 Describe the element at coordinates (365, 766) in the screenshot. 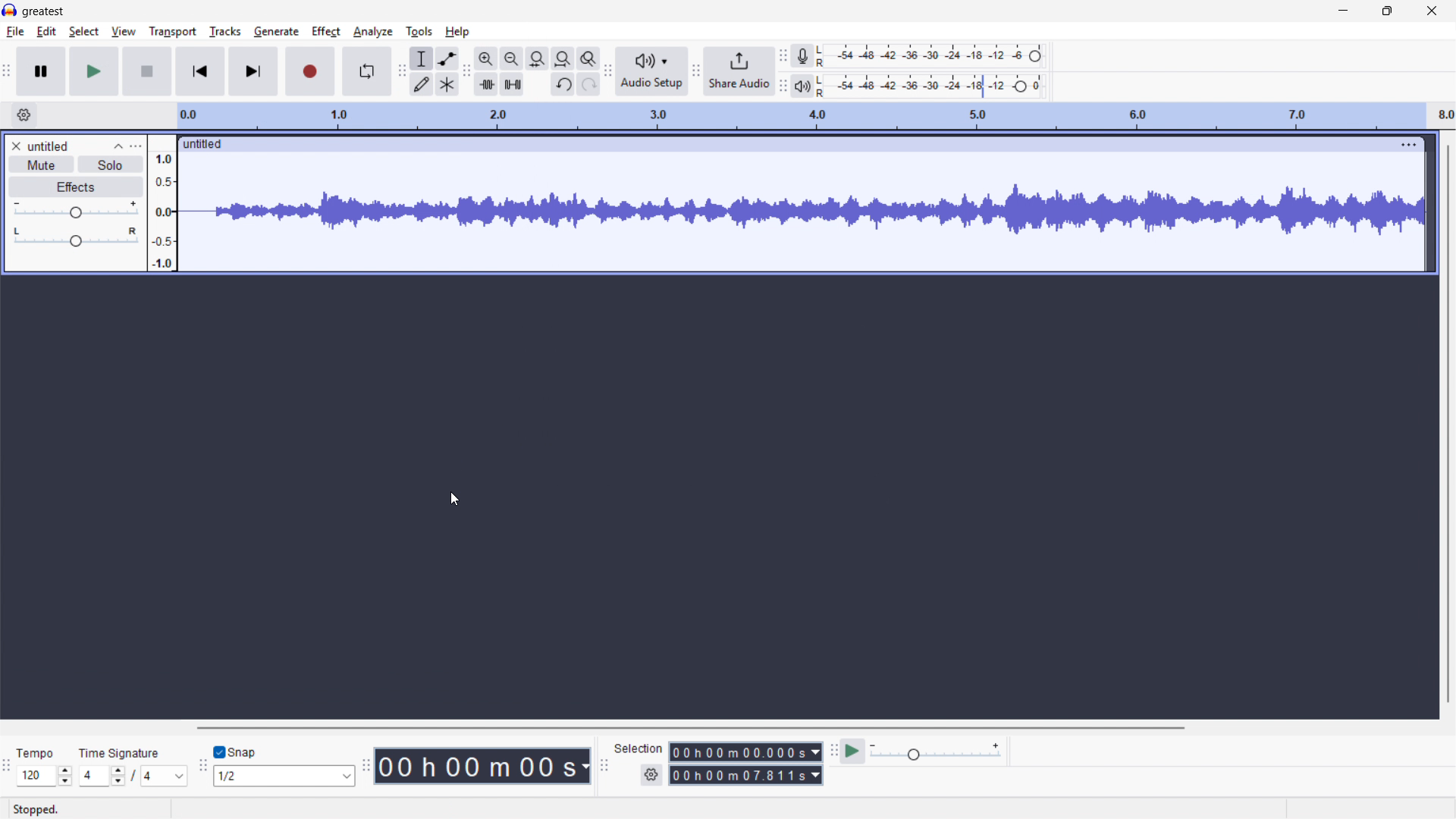

I see `time toolbar` at that location.